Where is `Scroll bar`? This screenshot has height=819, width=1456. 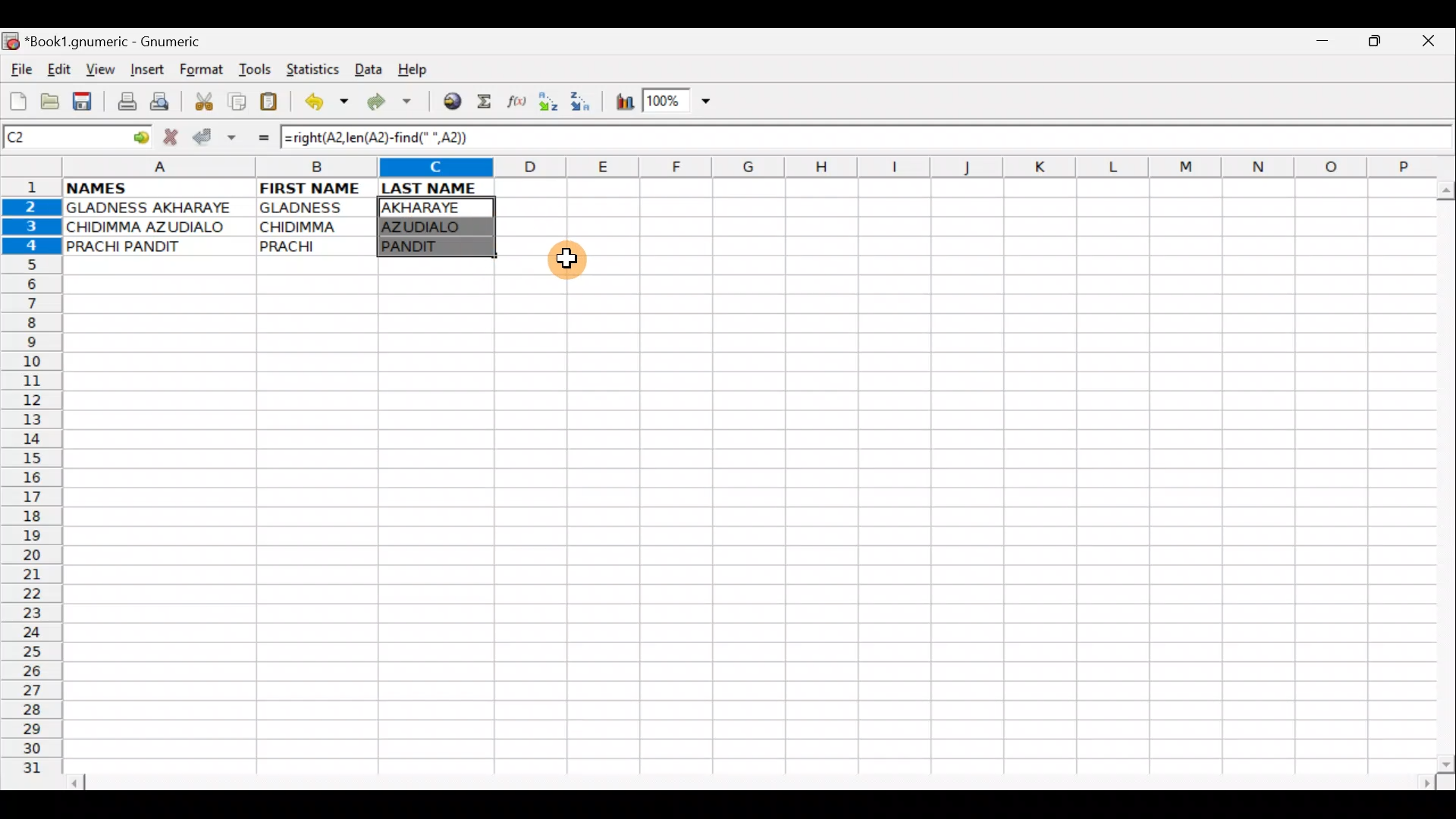
Scroll bar is located at coordinates (1442, 473).